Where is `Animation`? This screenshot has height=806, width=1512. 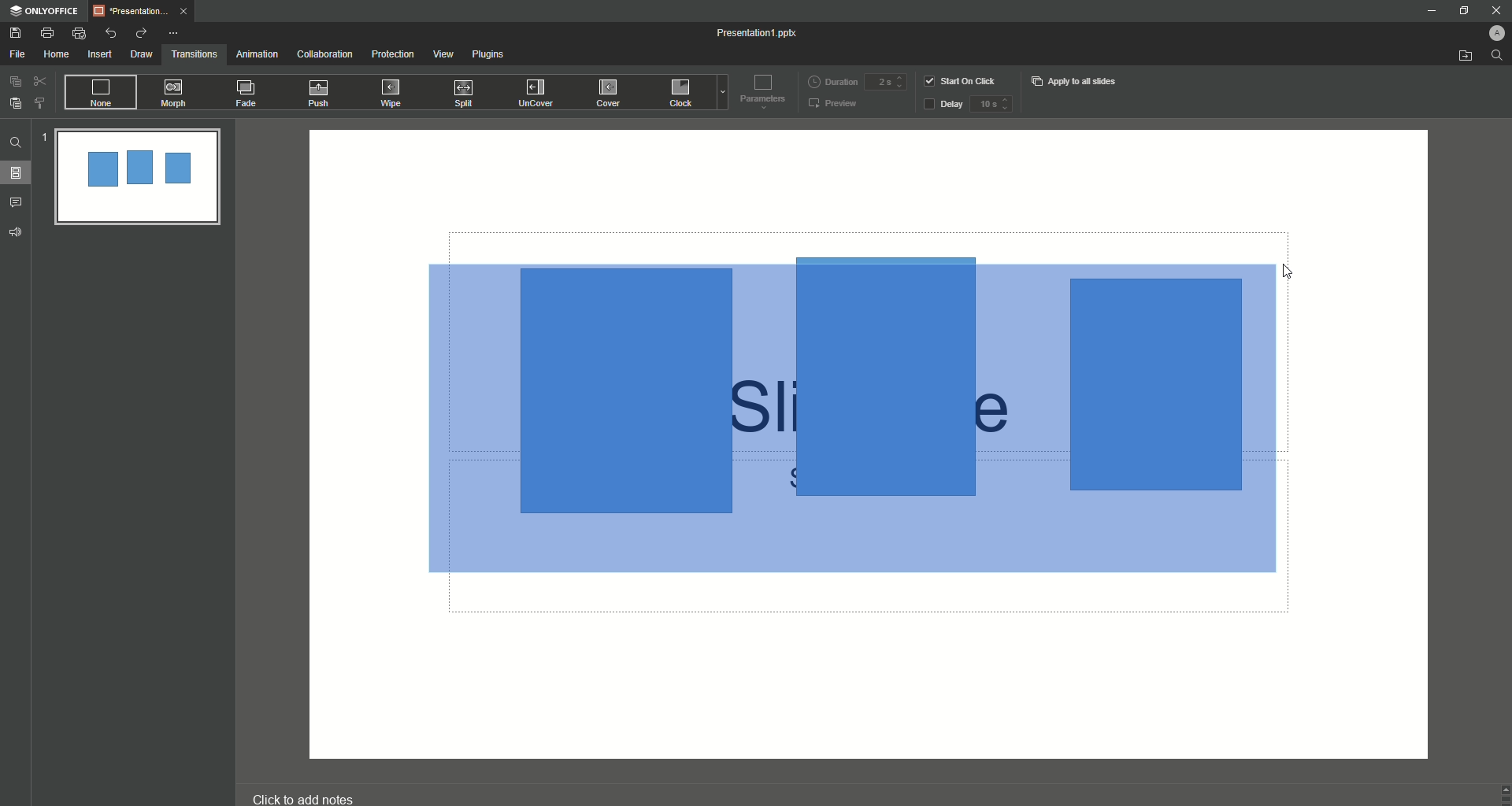 Animation is located at coordinates (256, 54).